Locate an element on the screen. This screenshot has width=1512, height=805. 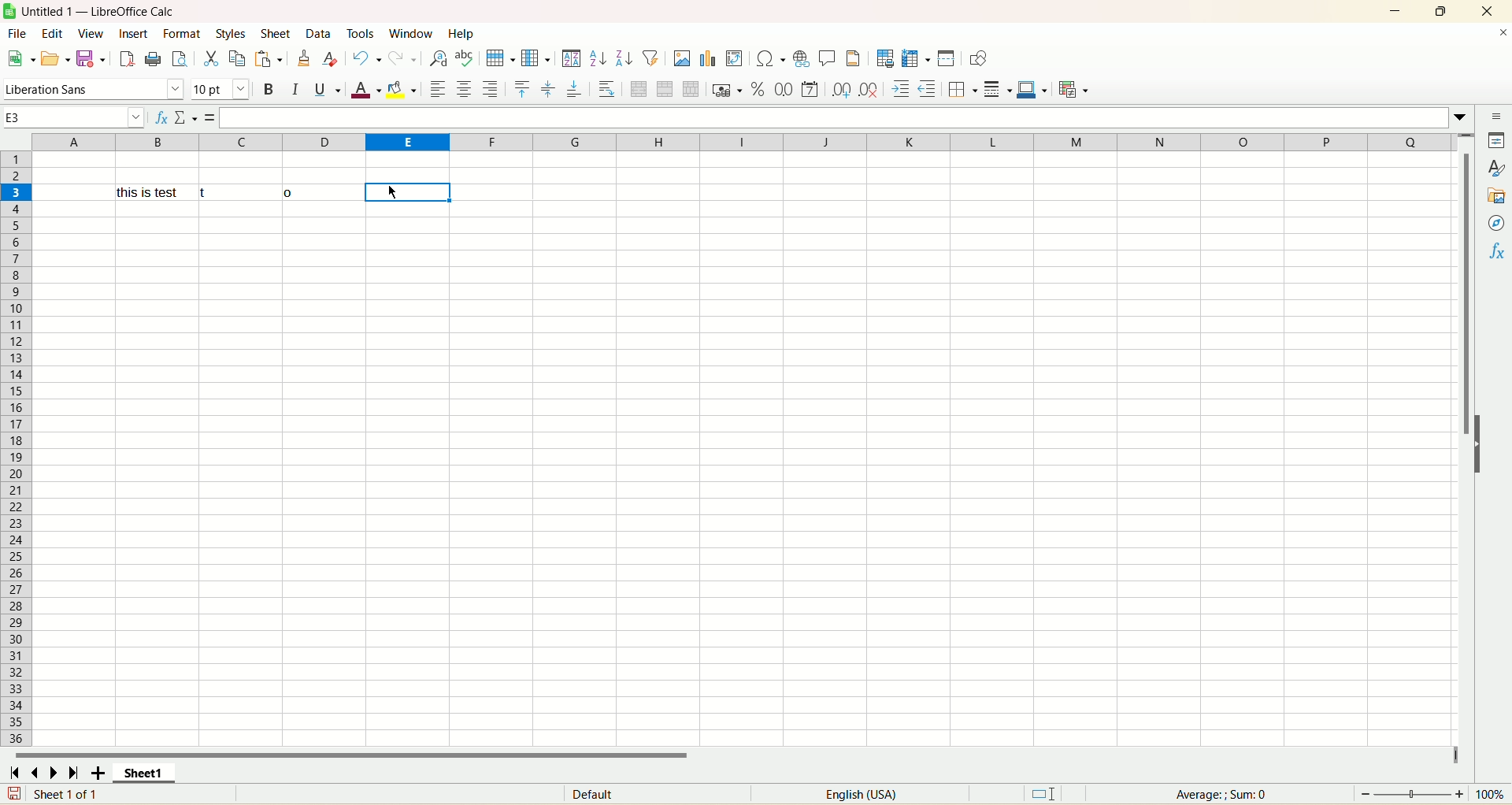
sheet number is located at coordinates (77, 796).